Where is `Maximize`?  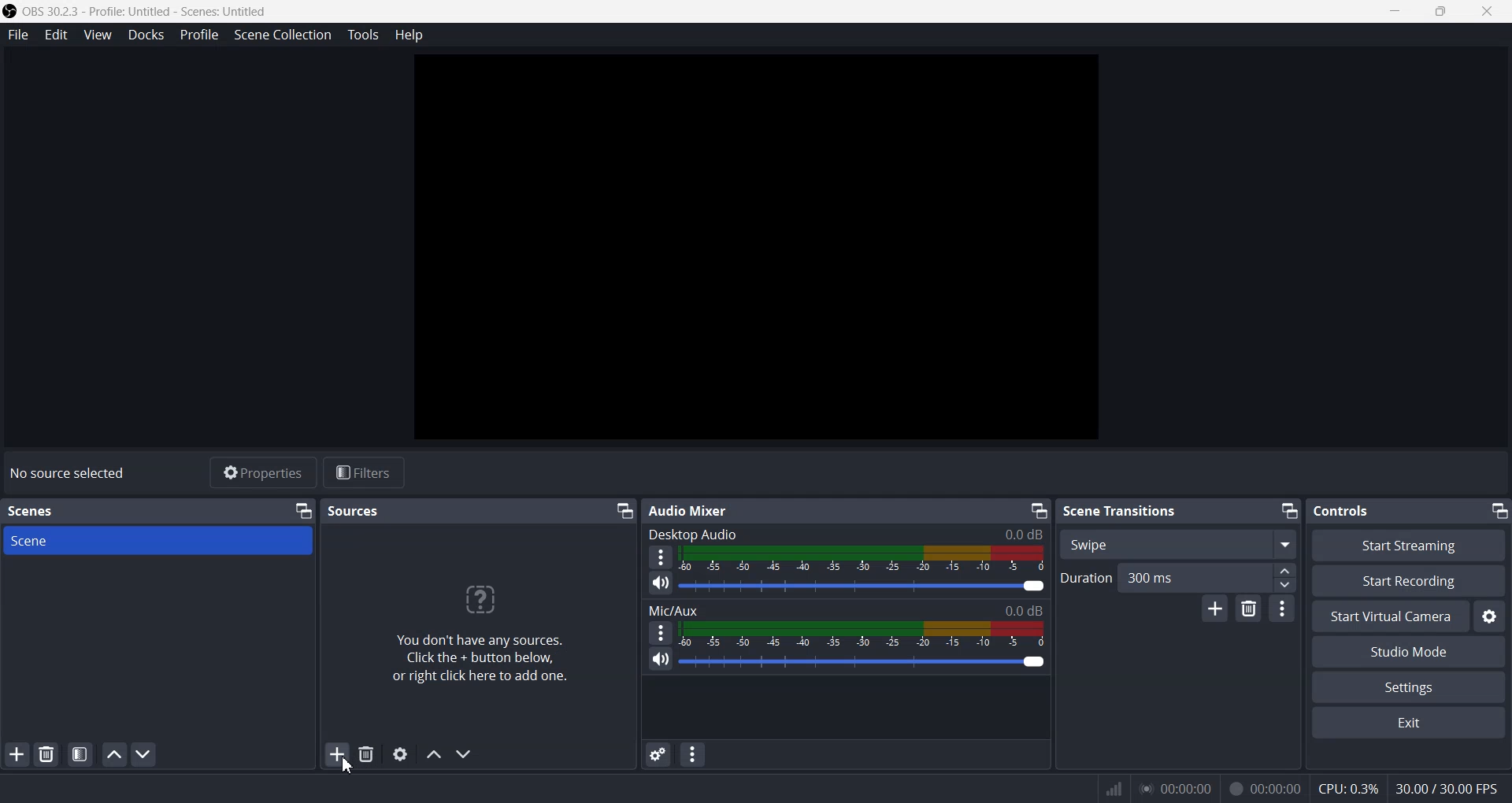 Maximize is located at coordinates (1442, 13).